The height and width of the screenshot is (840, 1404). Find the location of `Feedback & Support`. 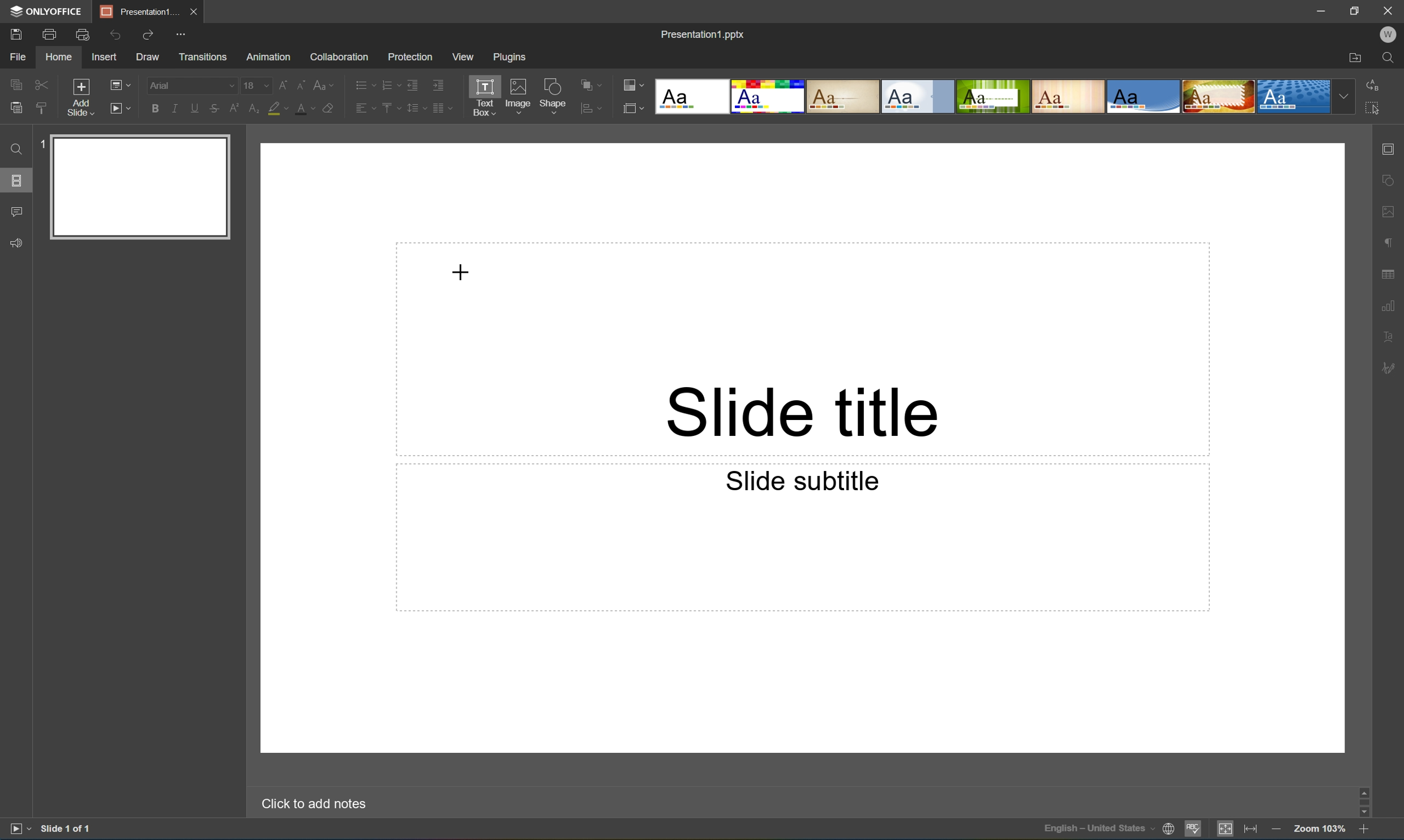

Feedback & Support is located at coordinates (18, 242).